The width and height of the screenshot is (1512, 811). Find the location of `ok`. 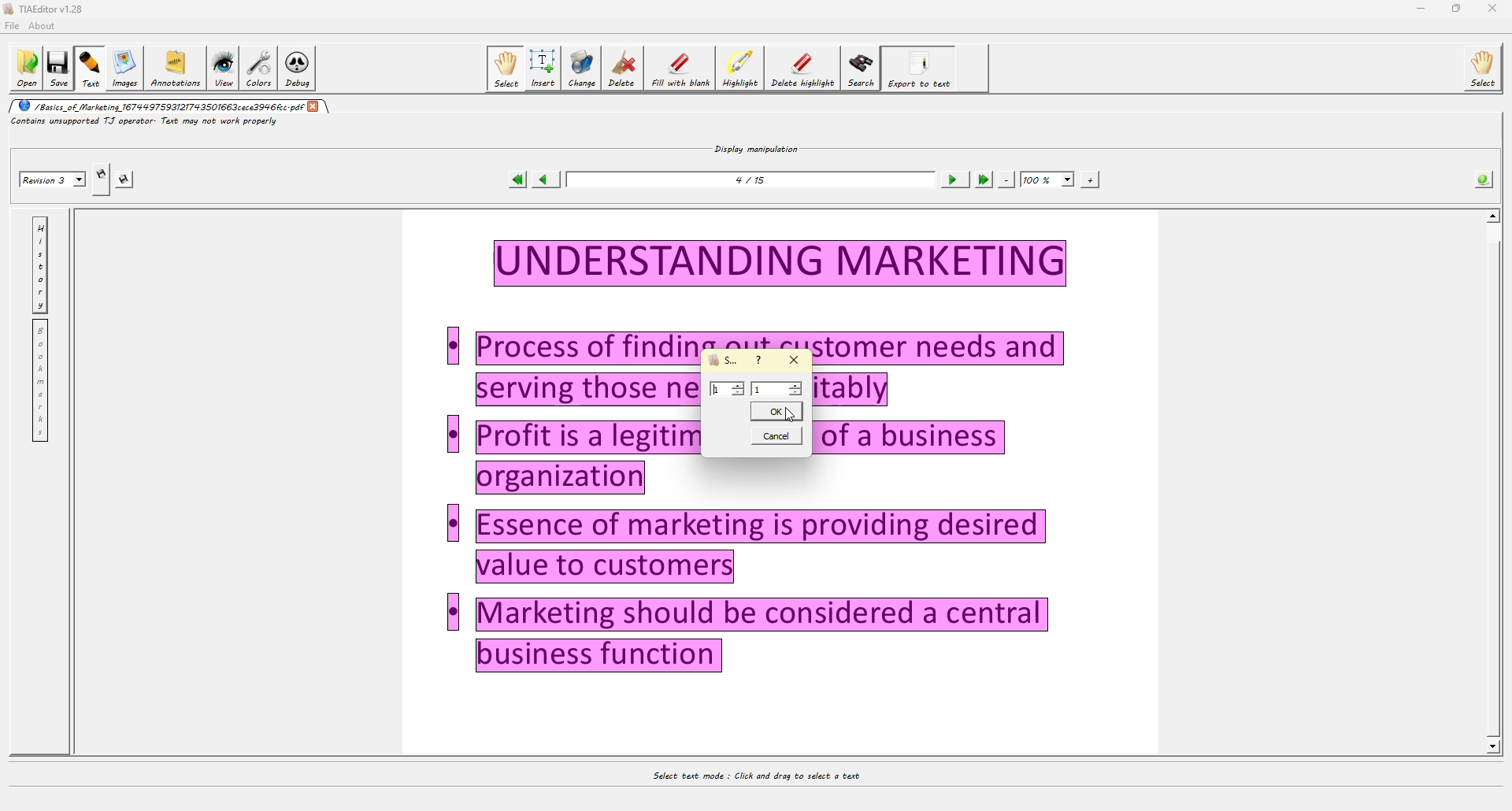

ok is located at coordinates (779, 412).